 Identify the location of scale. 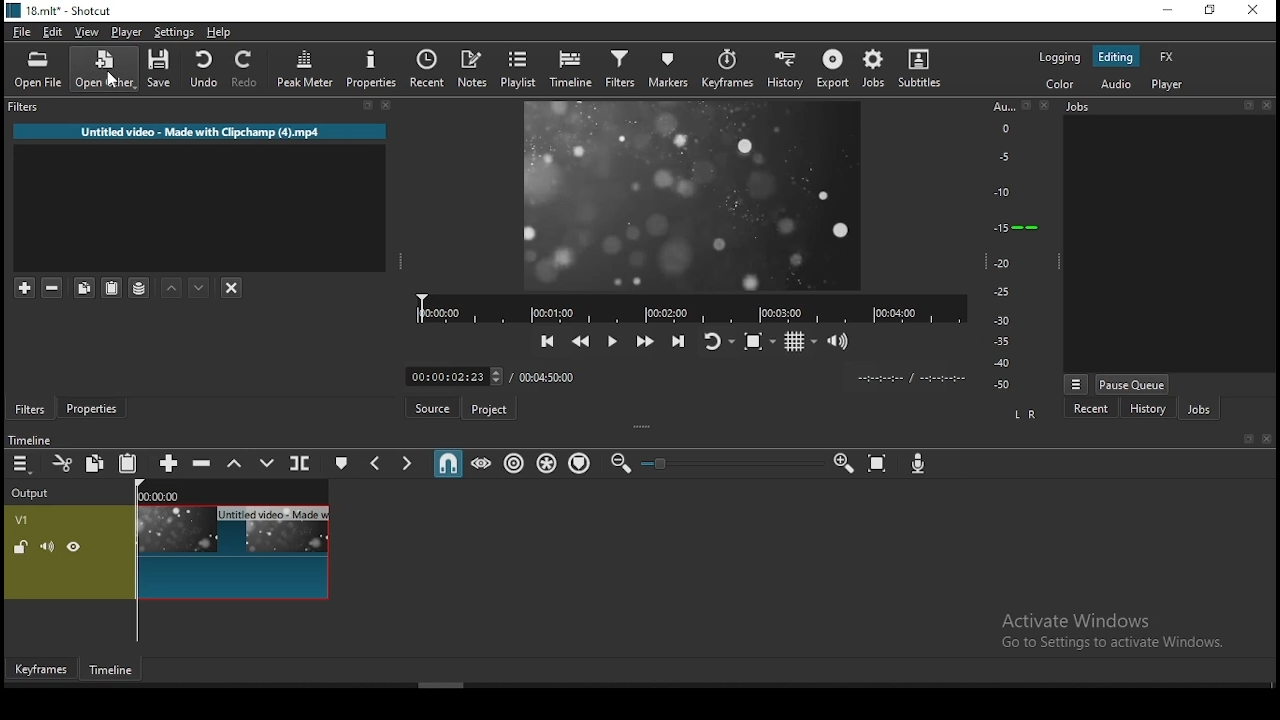
(1010, 243).